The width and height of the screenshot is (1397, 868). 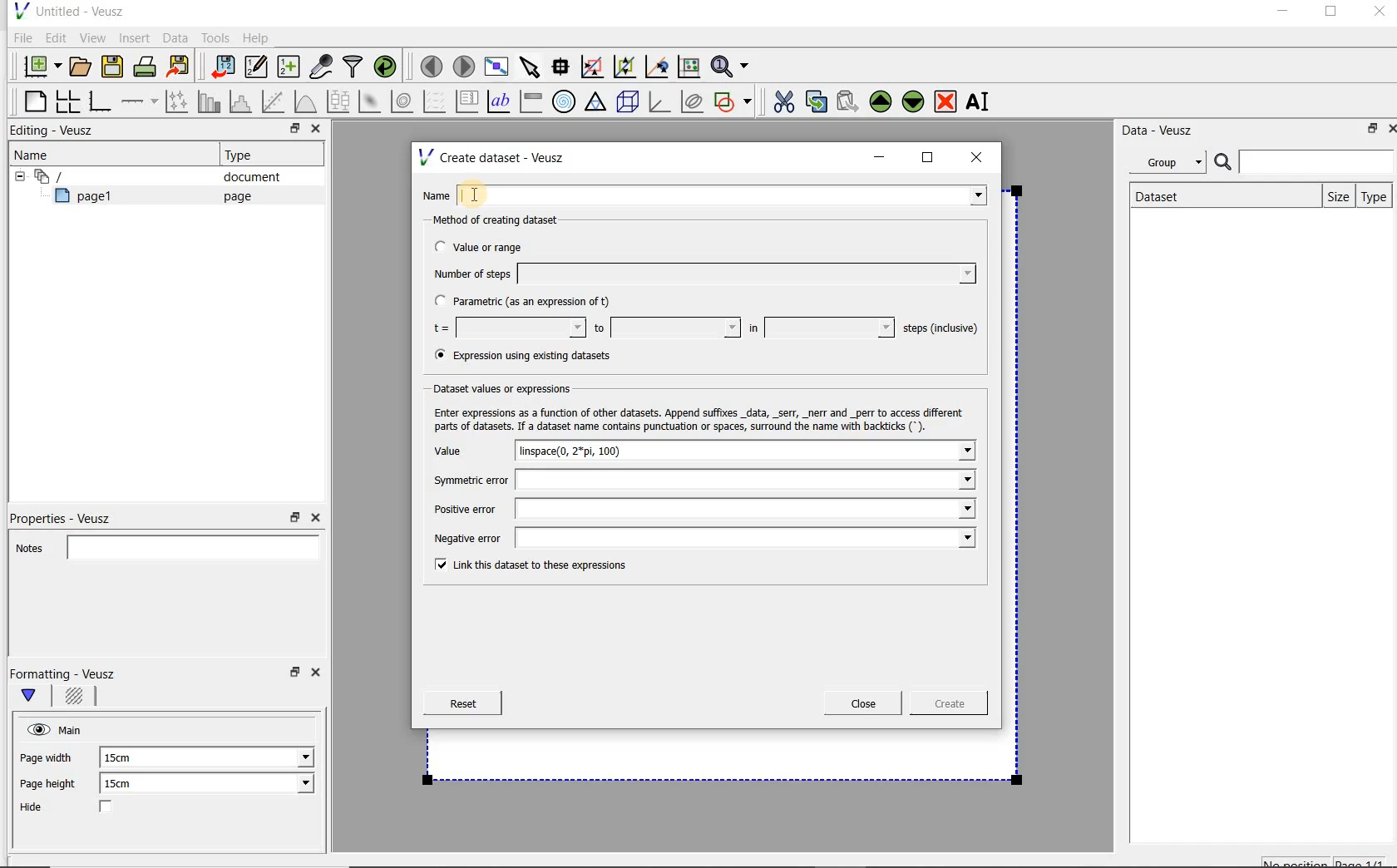 I want to click on size, so click(x=1335, y=195).